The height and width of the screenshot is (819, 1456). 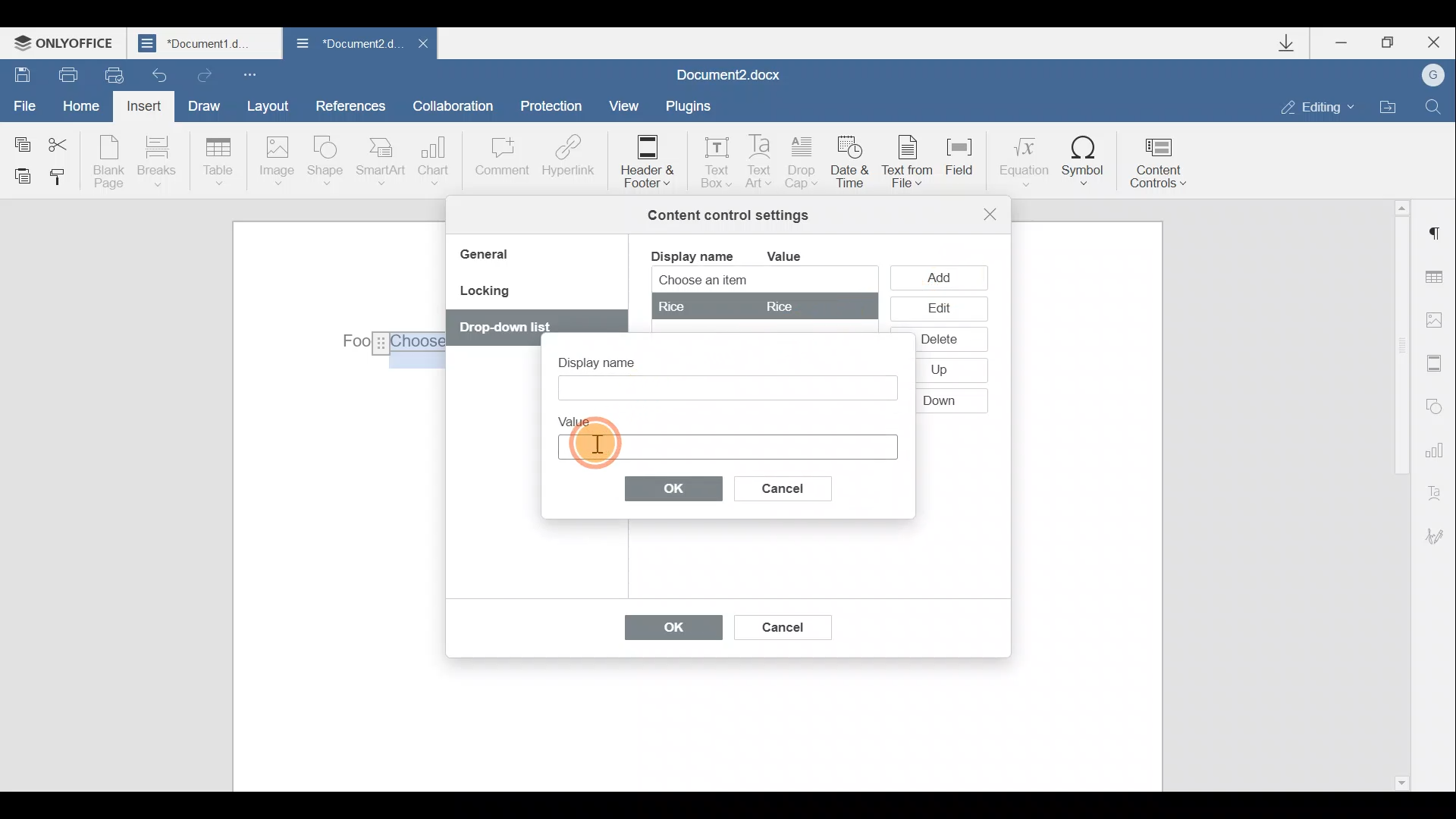 What do you see at coordinates (730, 73) in the screenshot?
I see `Document2.docx` at bounding box center [730, 73].